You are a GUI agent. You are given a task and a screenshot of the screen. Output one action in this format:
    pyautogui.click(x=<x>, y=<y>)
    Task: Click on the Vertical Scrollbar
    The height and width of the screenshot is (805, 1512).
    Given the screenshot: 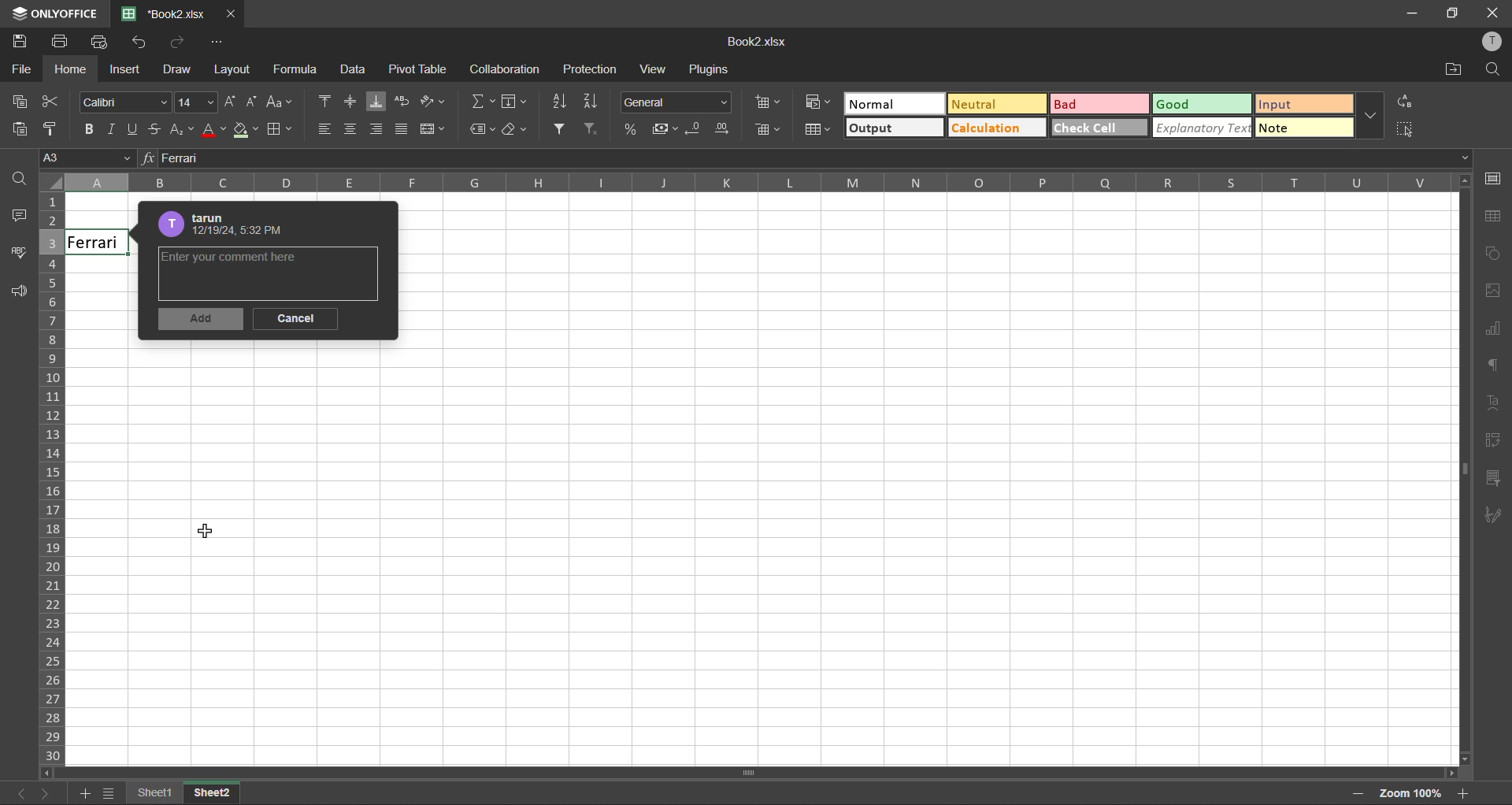 What is the action you would take?
    pyautogui.click(x=710, y=770)
    